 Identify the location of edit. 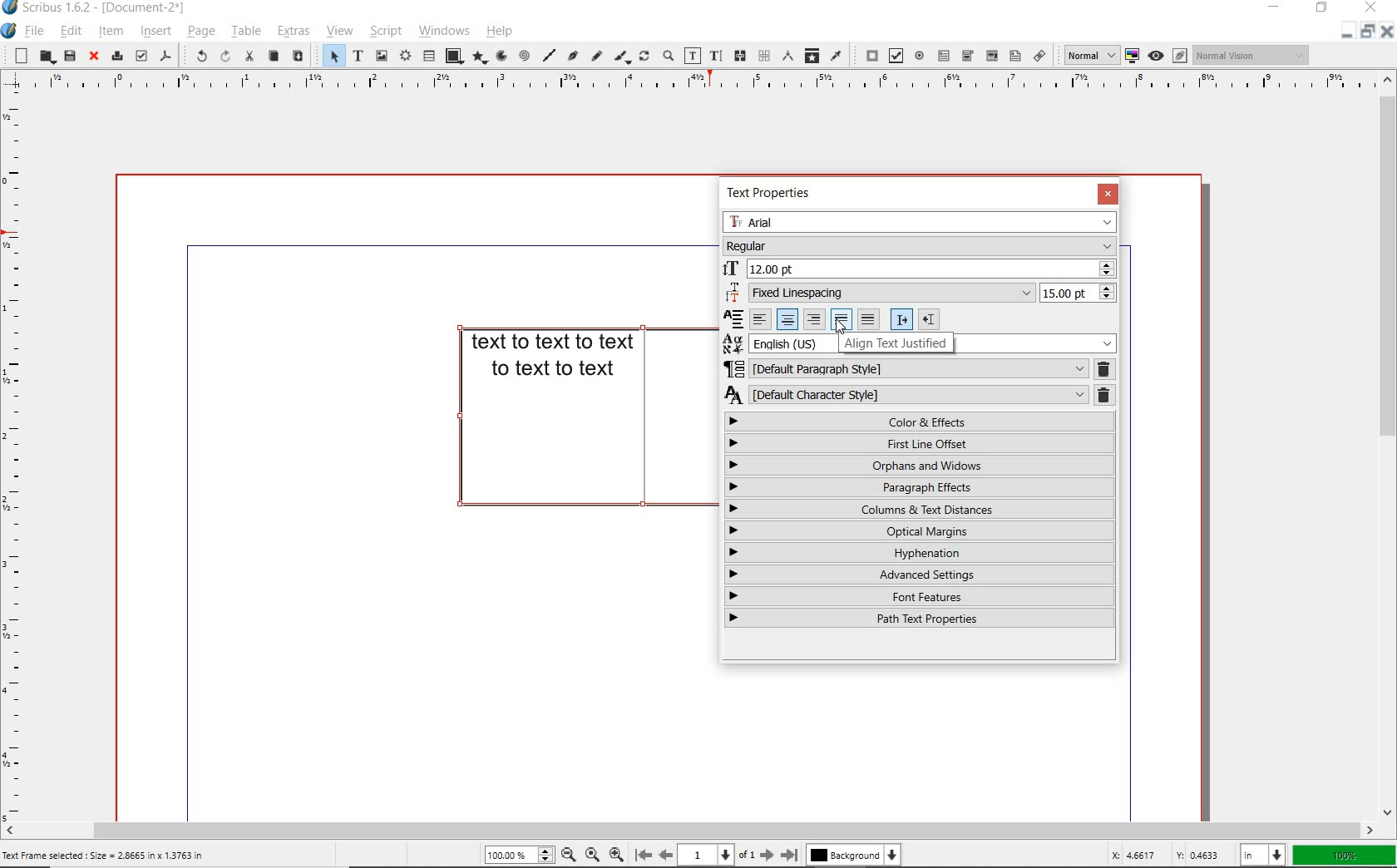
(71, 32).